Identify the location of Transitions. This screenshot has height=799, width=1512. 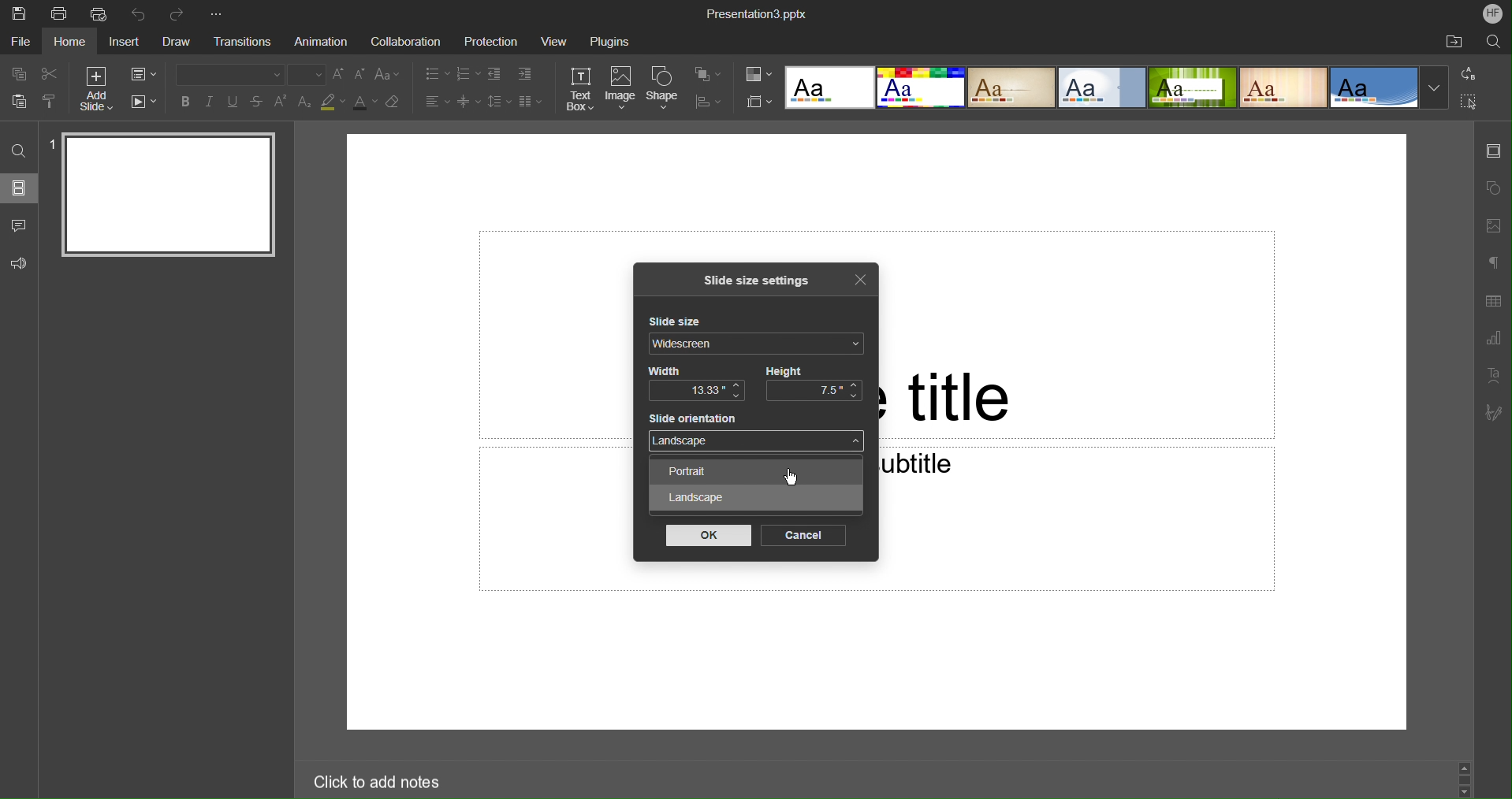
(247, 41).